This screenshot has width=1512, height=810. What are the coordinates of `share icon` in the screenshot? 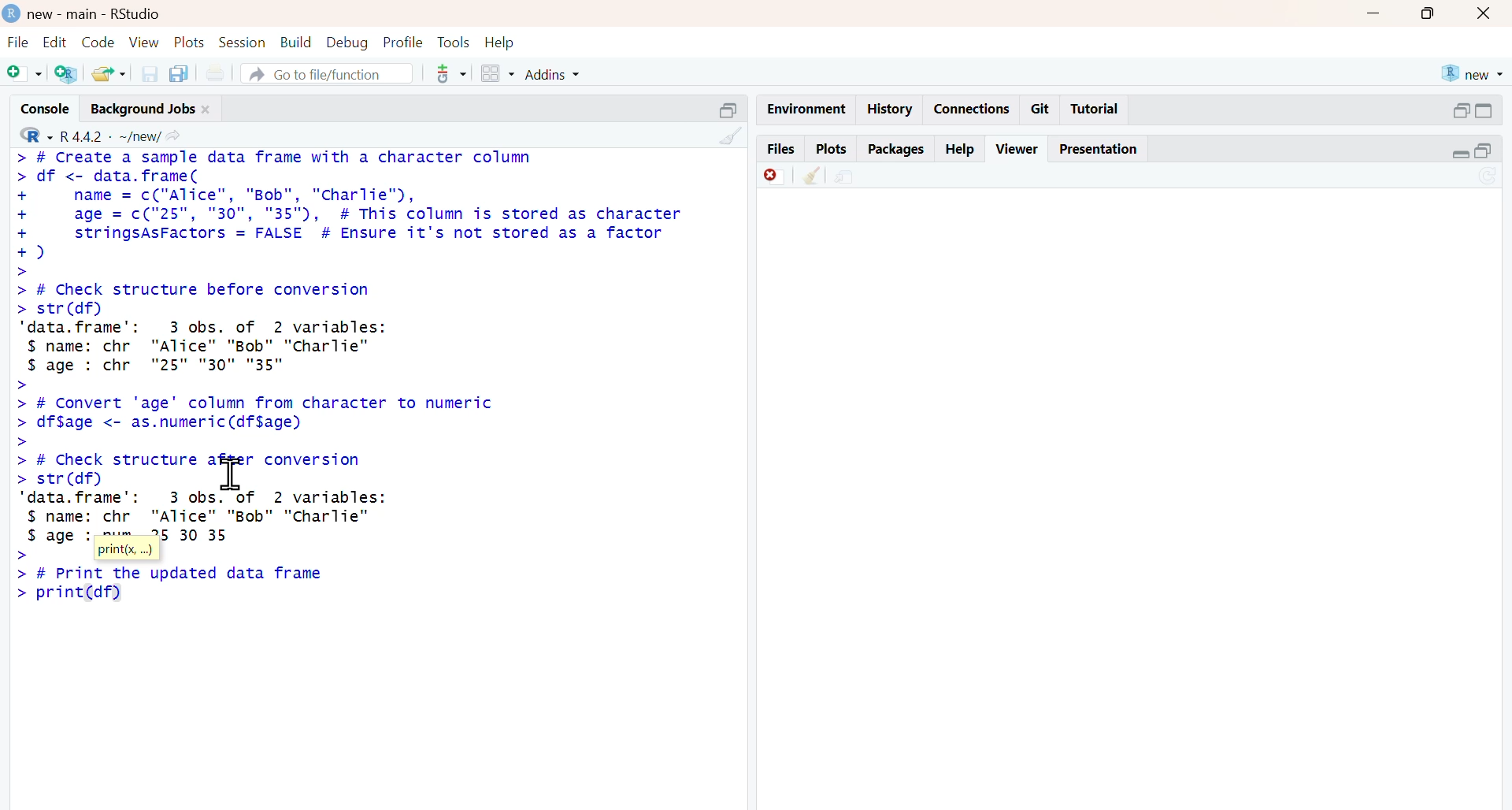 It's located at (173, 137).